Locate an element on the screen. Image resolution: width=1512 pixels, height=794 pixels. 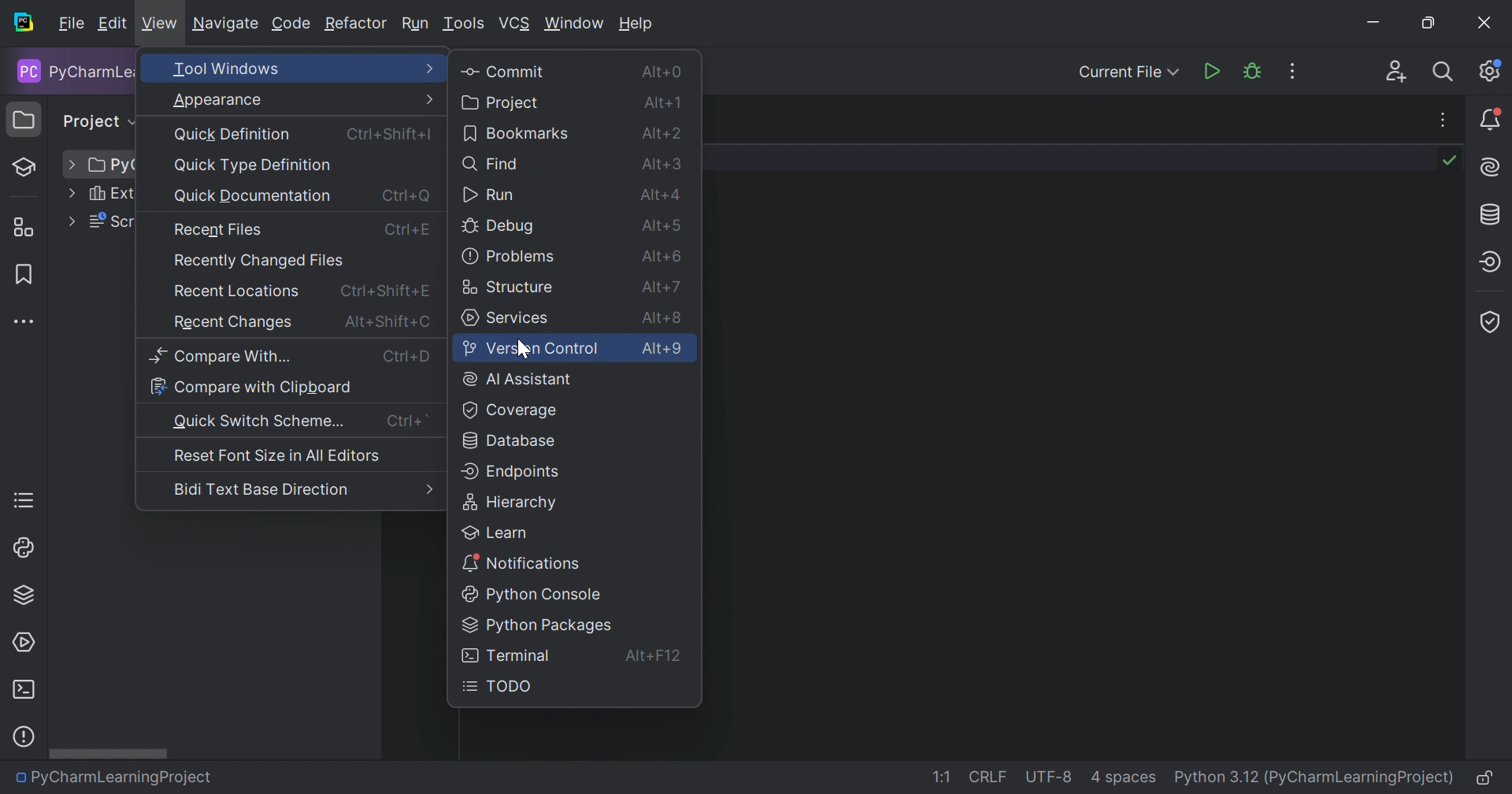
Alt+0 is located at coordinates (661, 70).